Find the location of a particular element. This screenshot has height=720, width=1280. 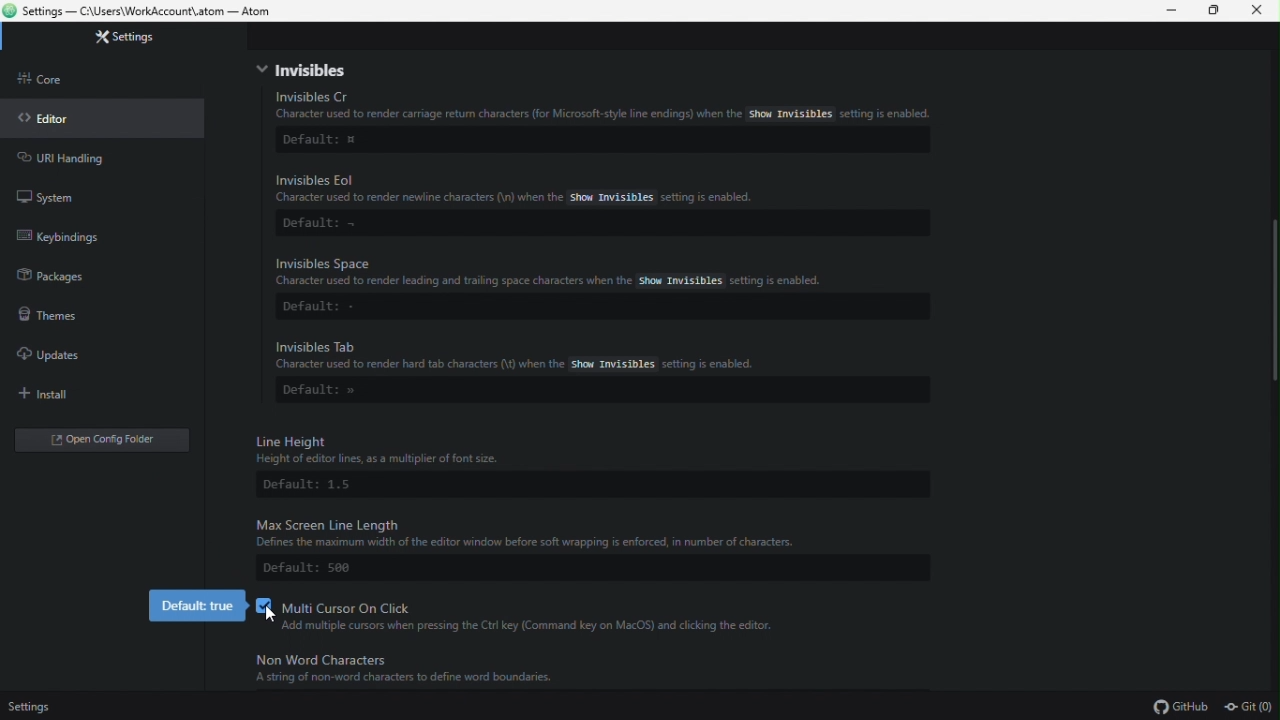

Core is located at coordinates (66, 82).